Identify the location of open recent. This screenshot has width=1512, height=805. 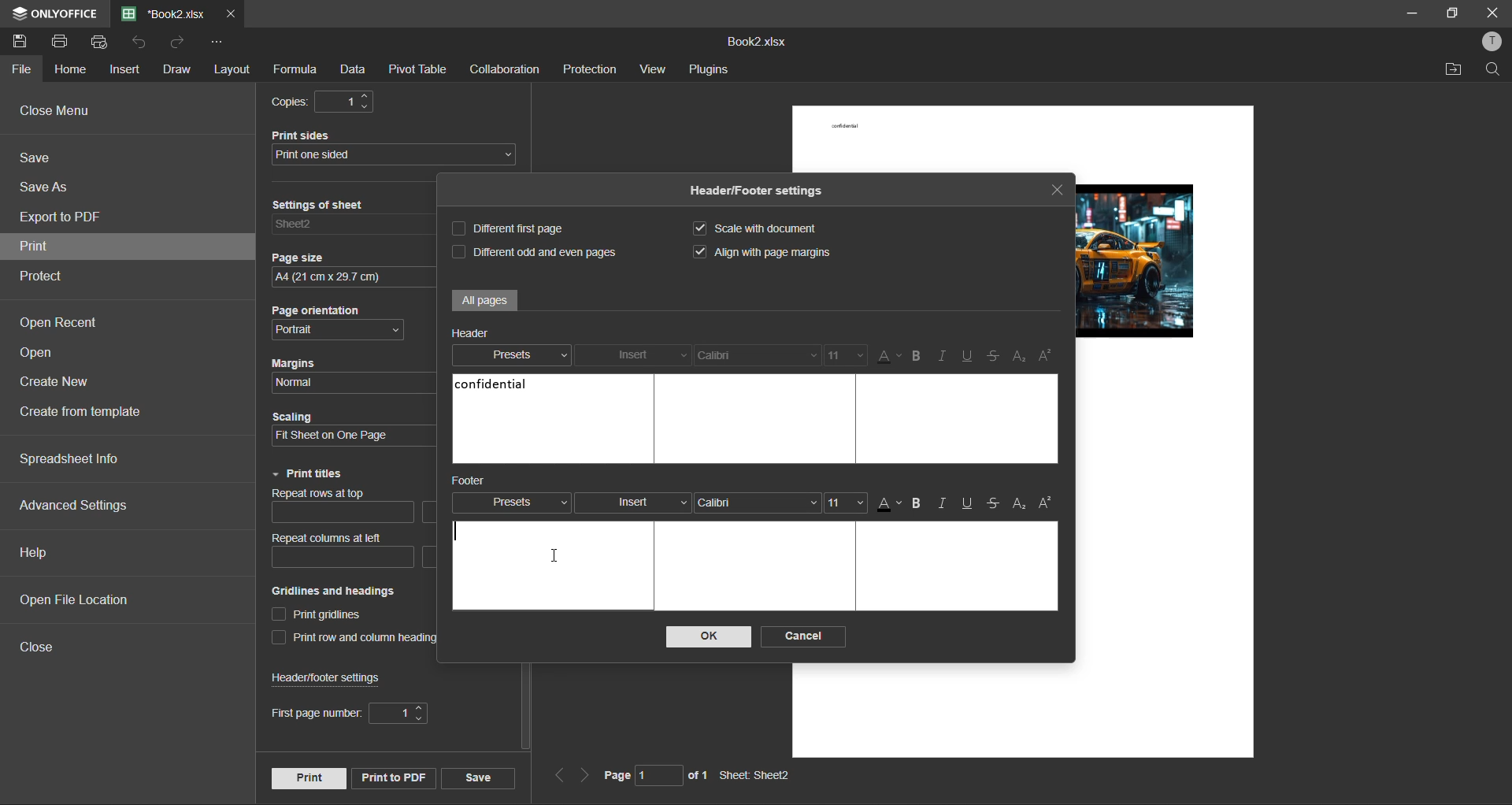
(58, 319).